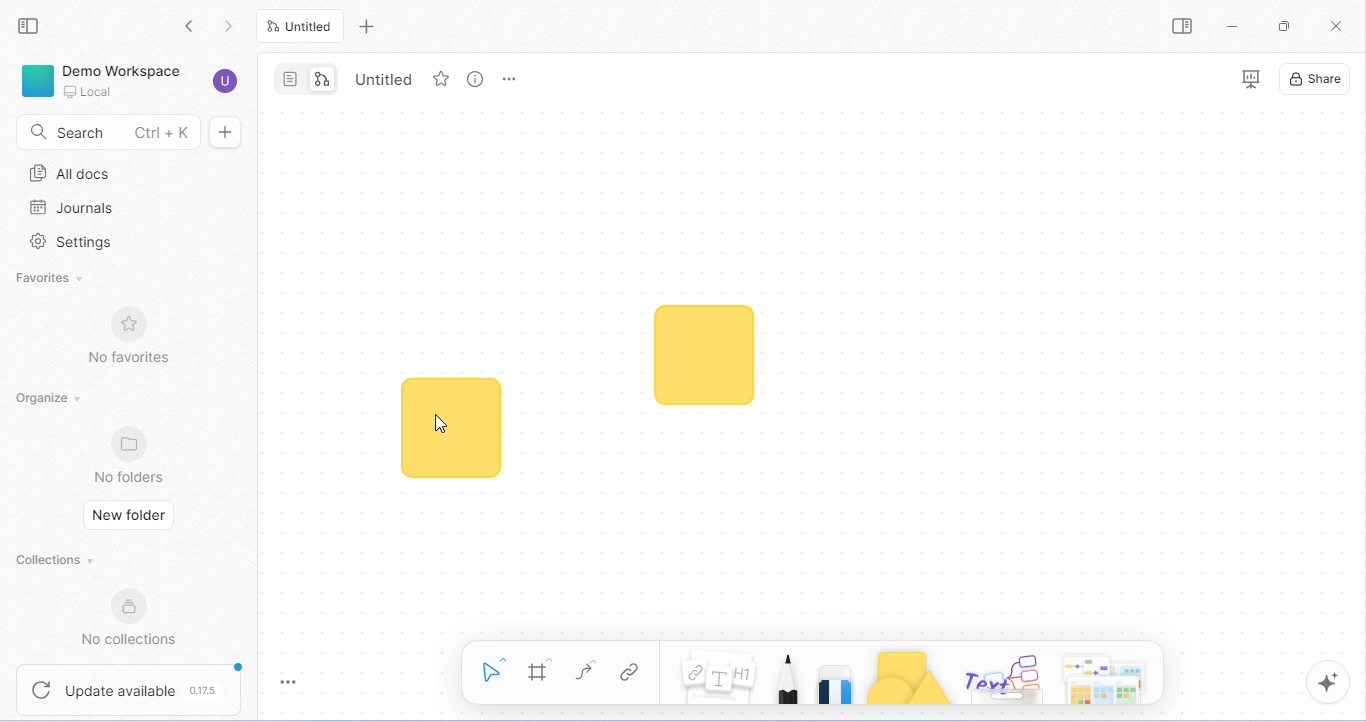 This screenshot has width=1366, height=722. I want to click on view info, so click(476, 79).